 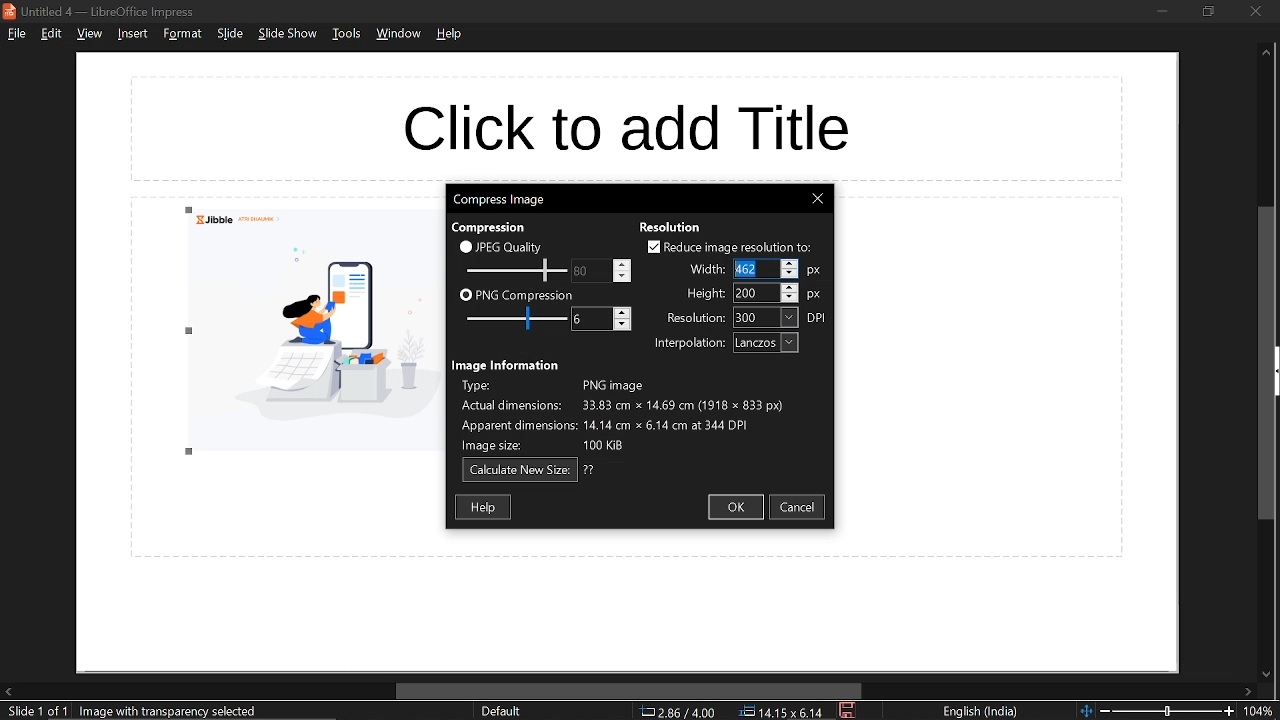 I want to click on decrease width, so click(x=790, y=274).